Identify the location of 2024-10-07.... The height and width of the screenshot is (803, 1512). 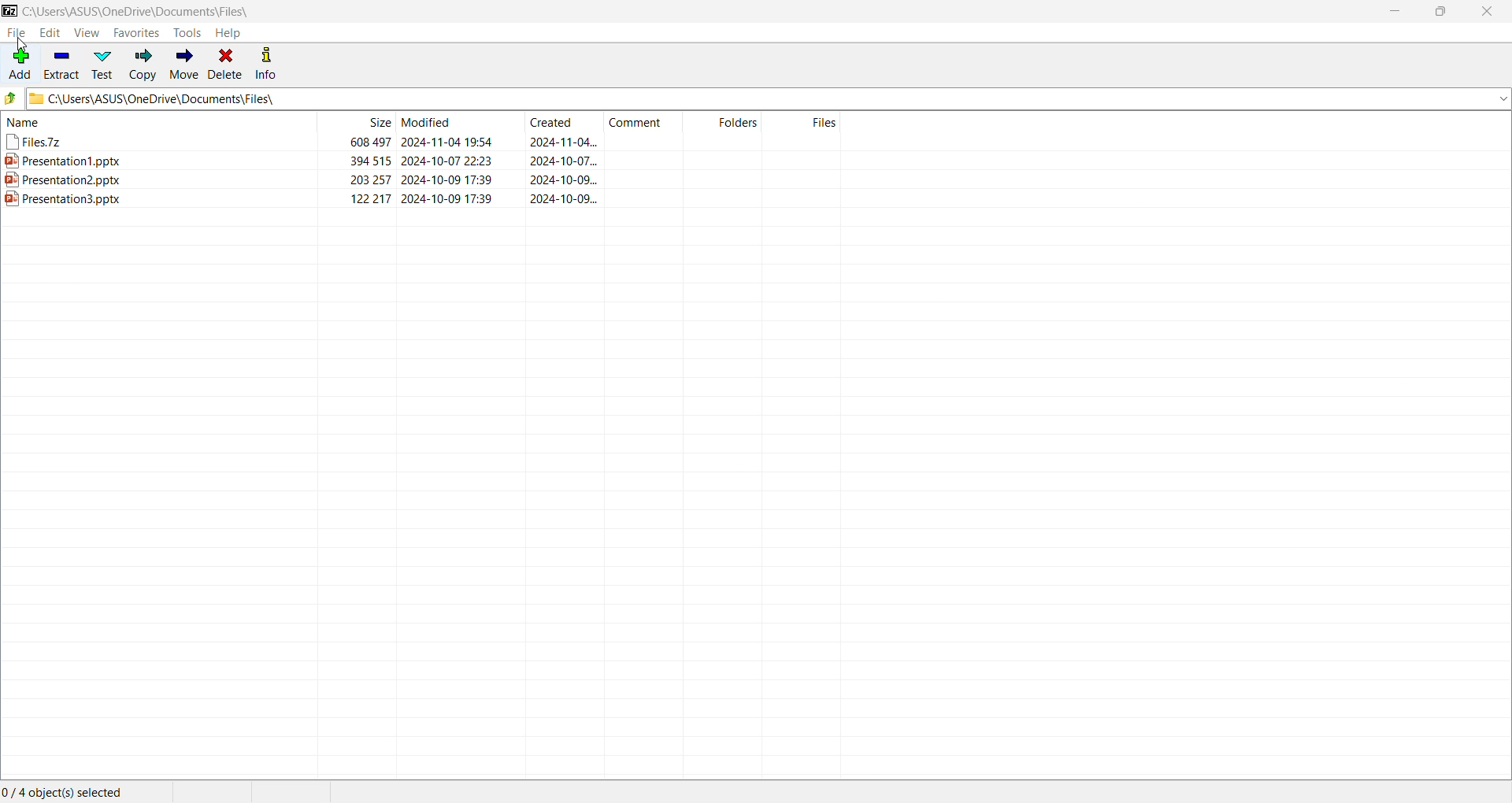
(565, 159).